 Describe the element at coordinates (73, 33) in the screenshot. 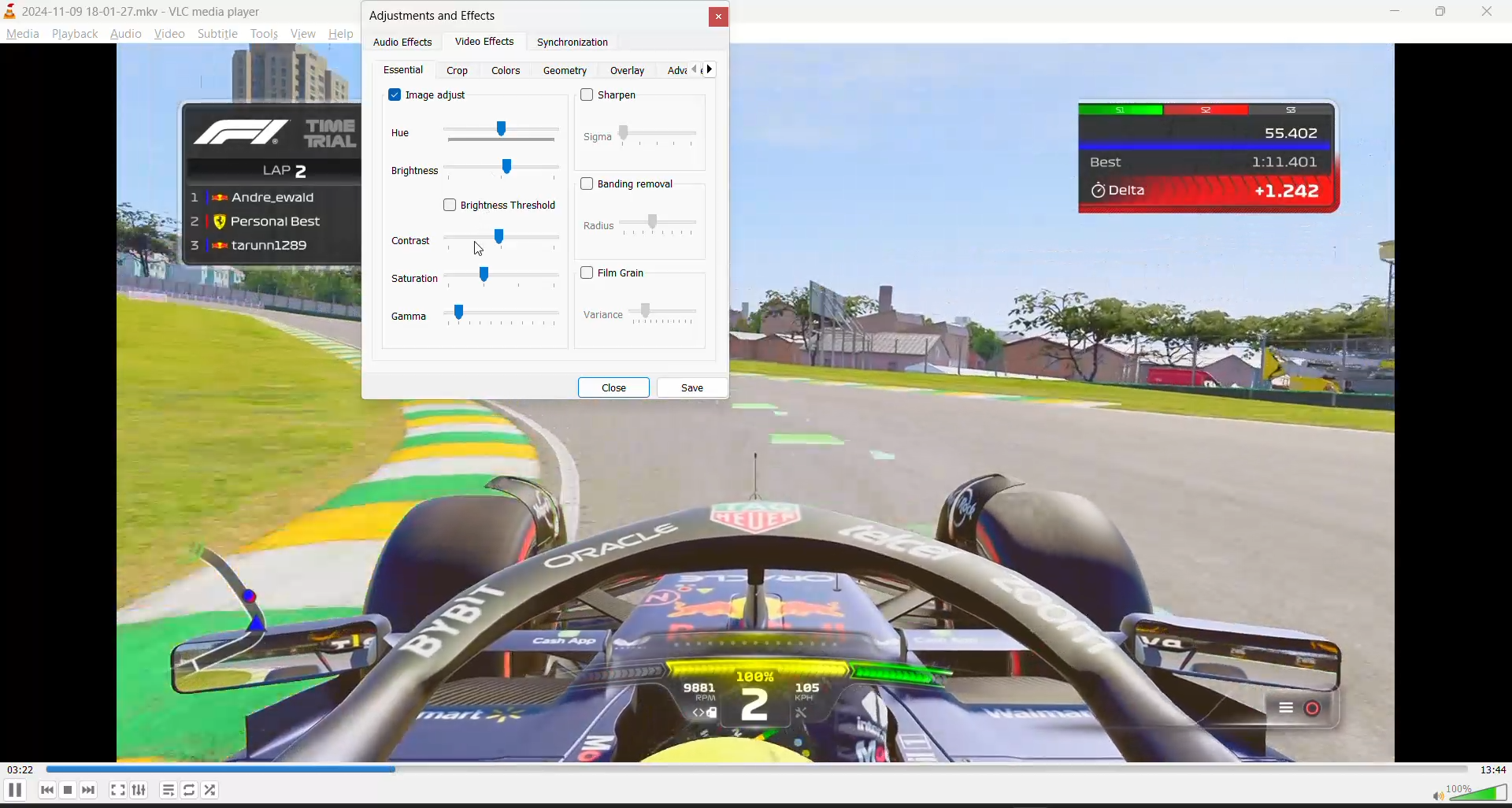

I see `playback` at that location.